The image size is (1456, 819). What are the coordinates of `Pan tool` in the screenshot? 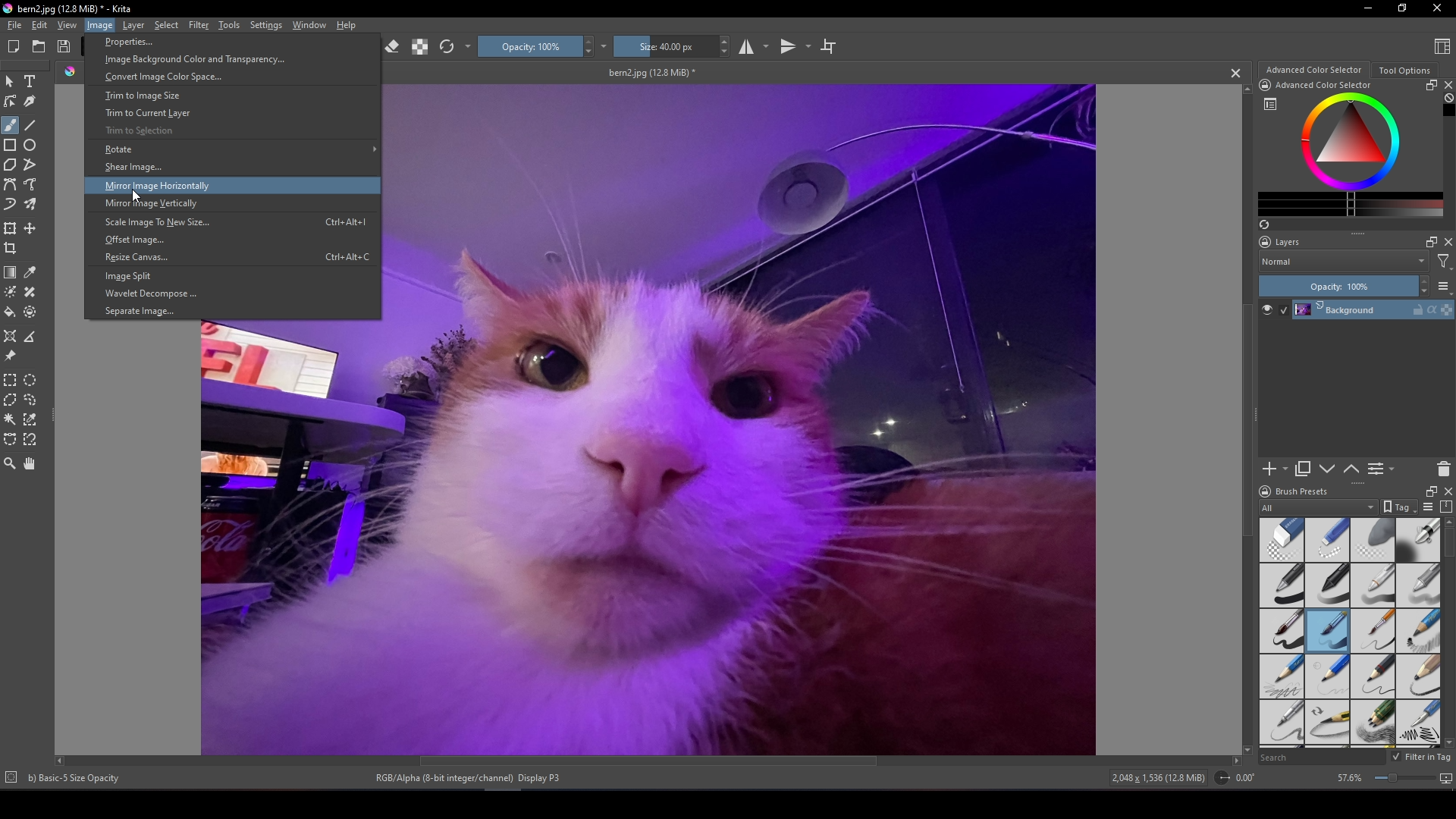 It's located at (29, 463).